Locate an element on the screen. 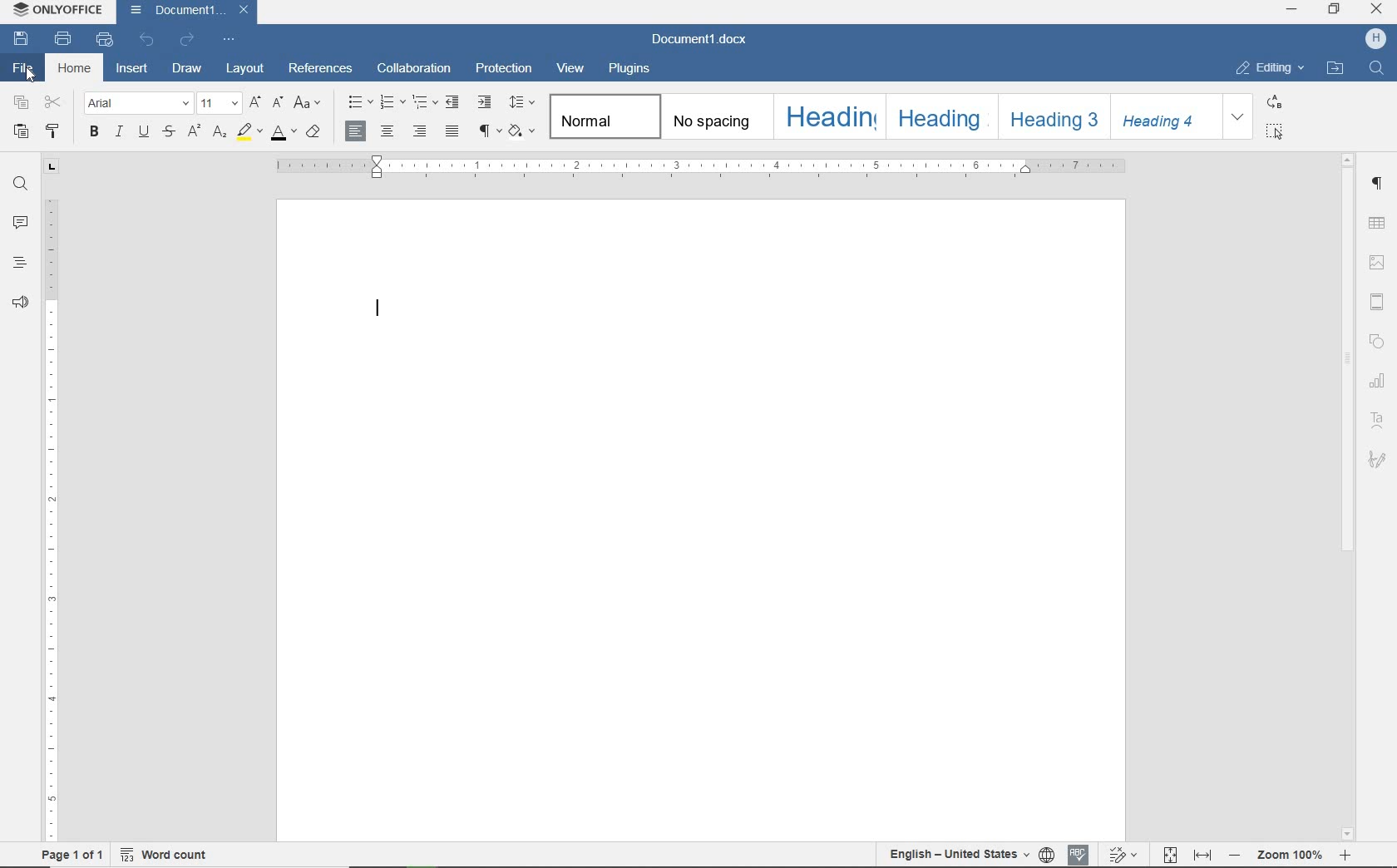 This screenshot has width=1397, height=868. headings is located at coordinates (19, 262).